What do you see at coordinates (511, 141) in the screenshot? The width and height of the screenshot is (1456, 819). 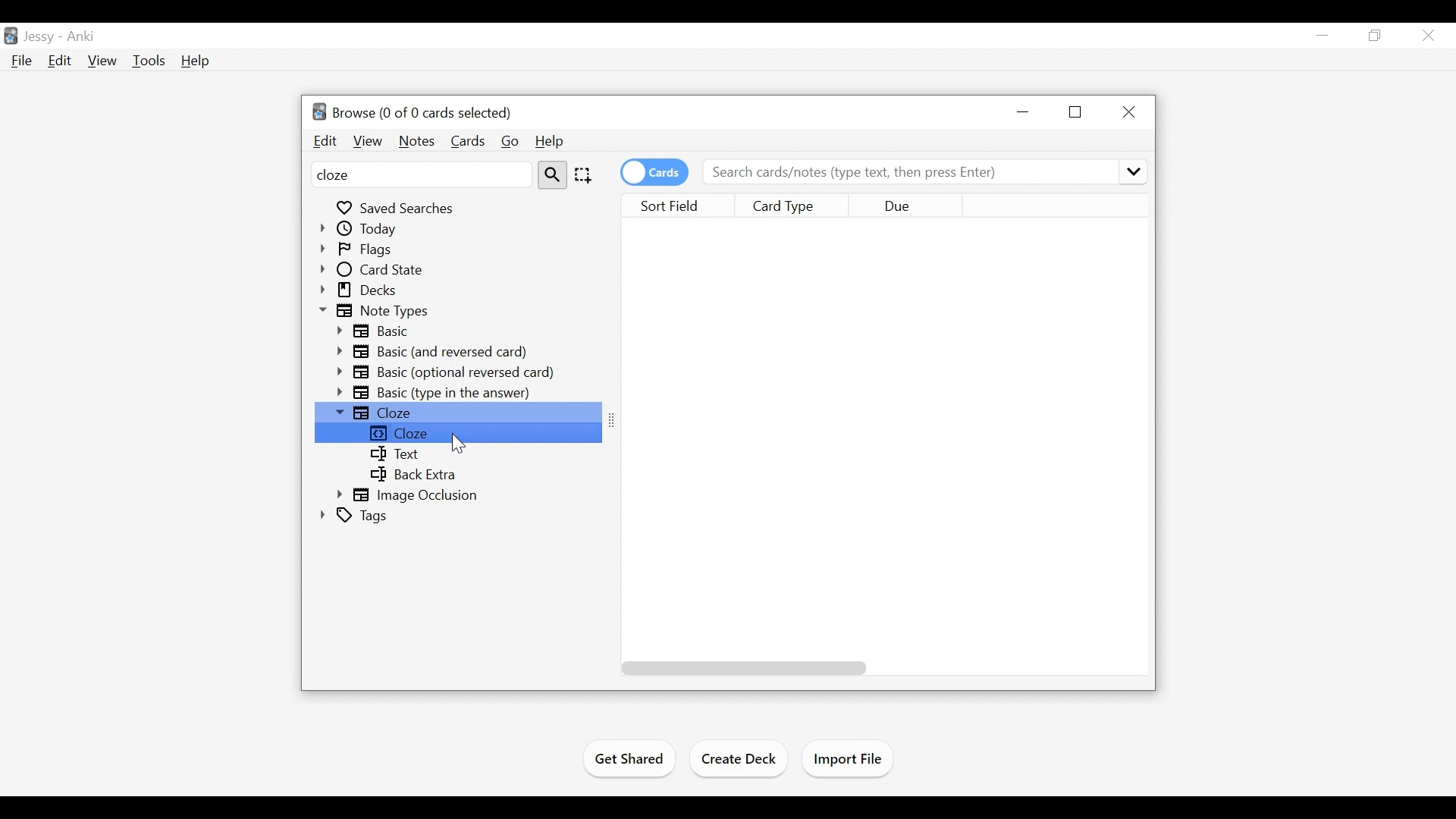 I see `Go` at bounding box center [511, 141].